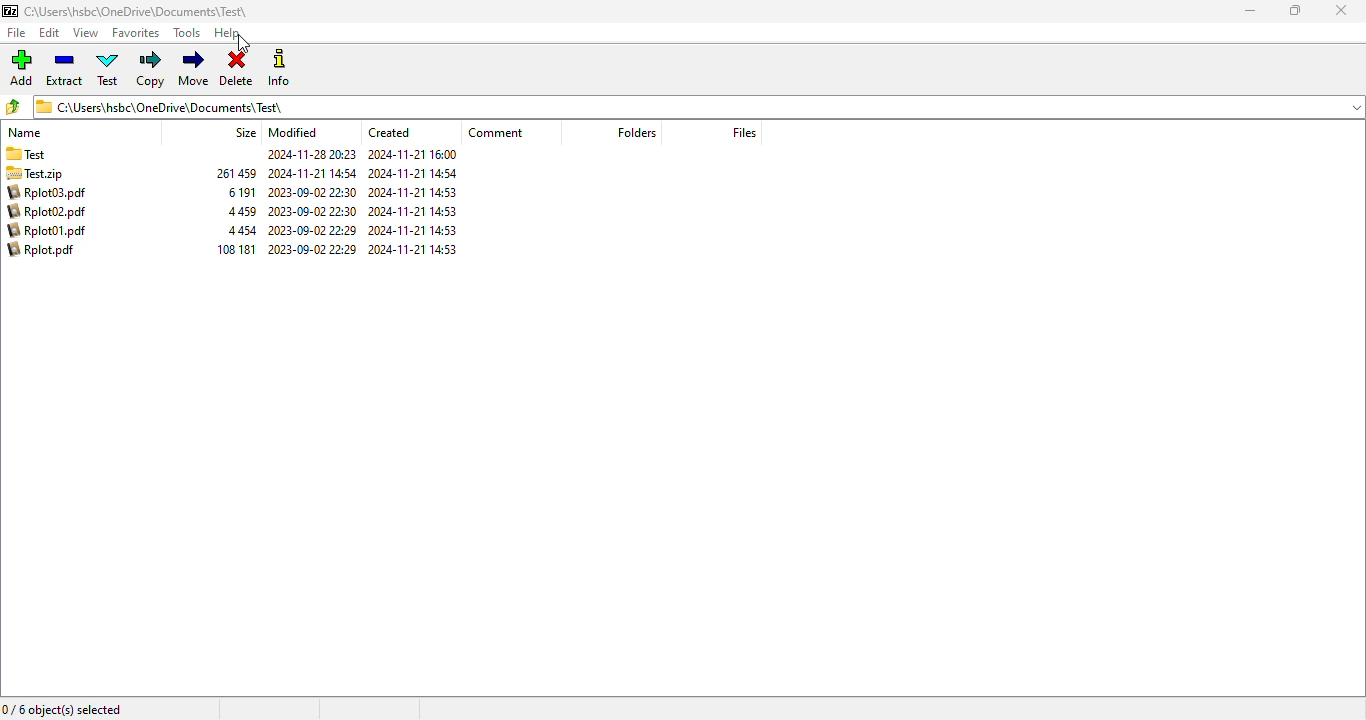 This screenshot has height=720, width=1366. Describe the element at coordinates (1357, 107) in the screenshot. I see `drop down` at that location.